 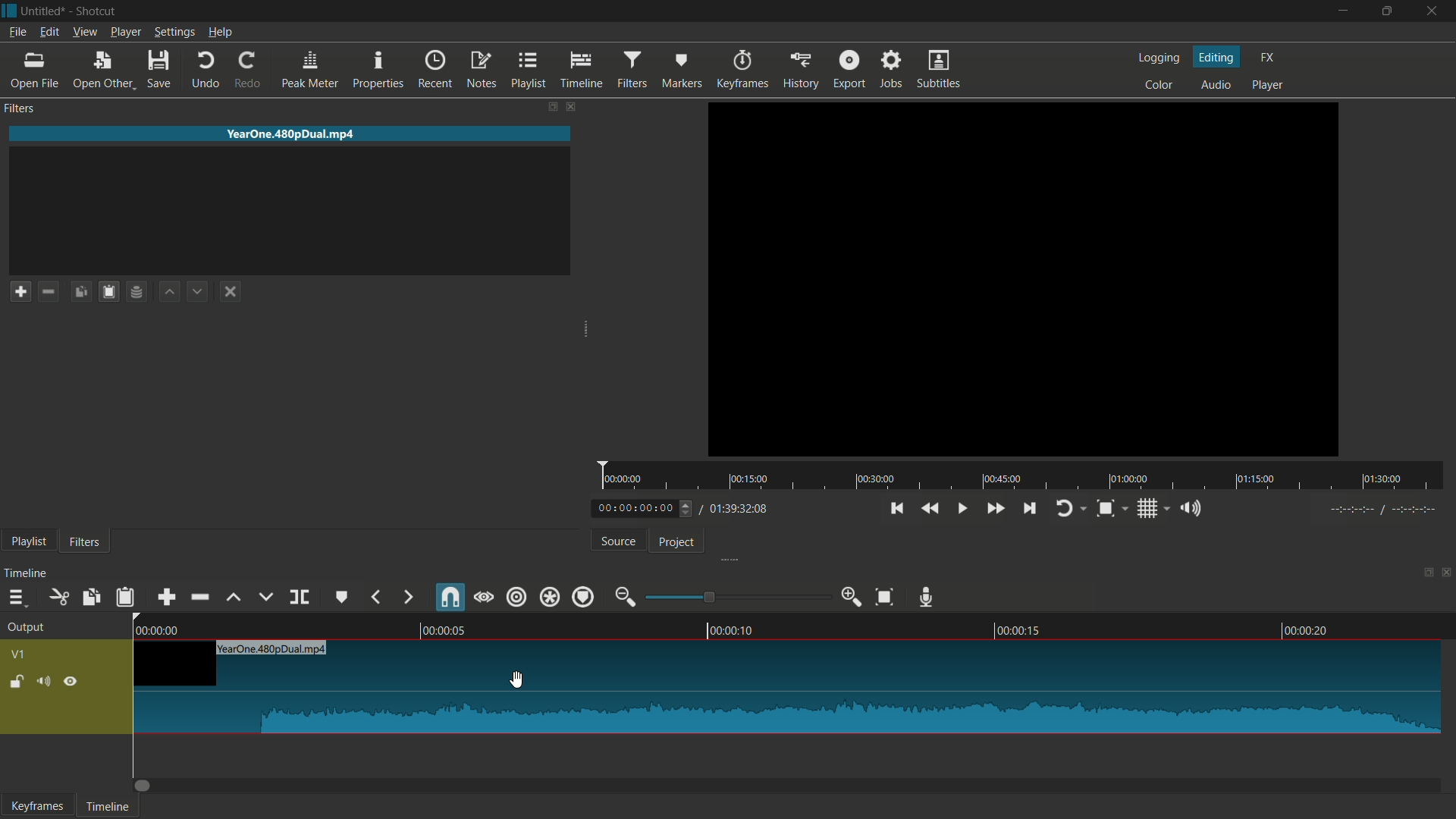 What do you see at coordinates (44, 11) in the screenshot?
I see `project name` at bounding box center [44, 11].